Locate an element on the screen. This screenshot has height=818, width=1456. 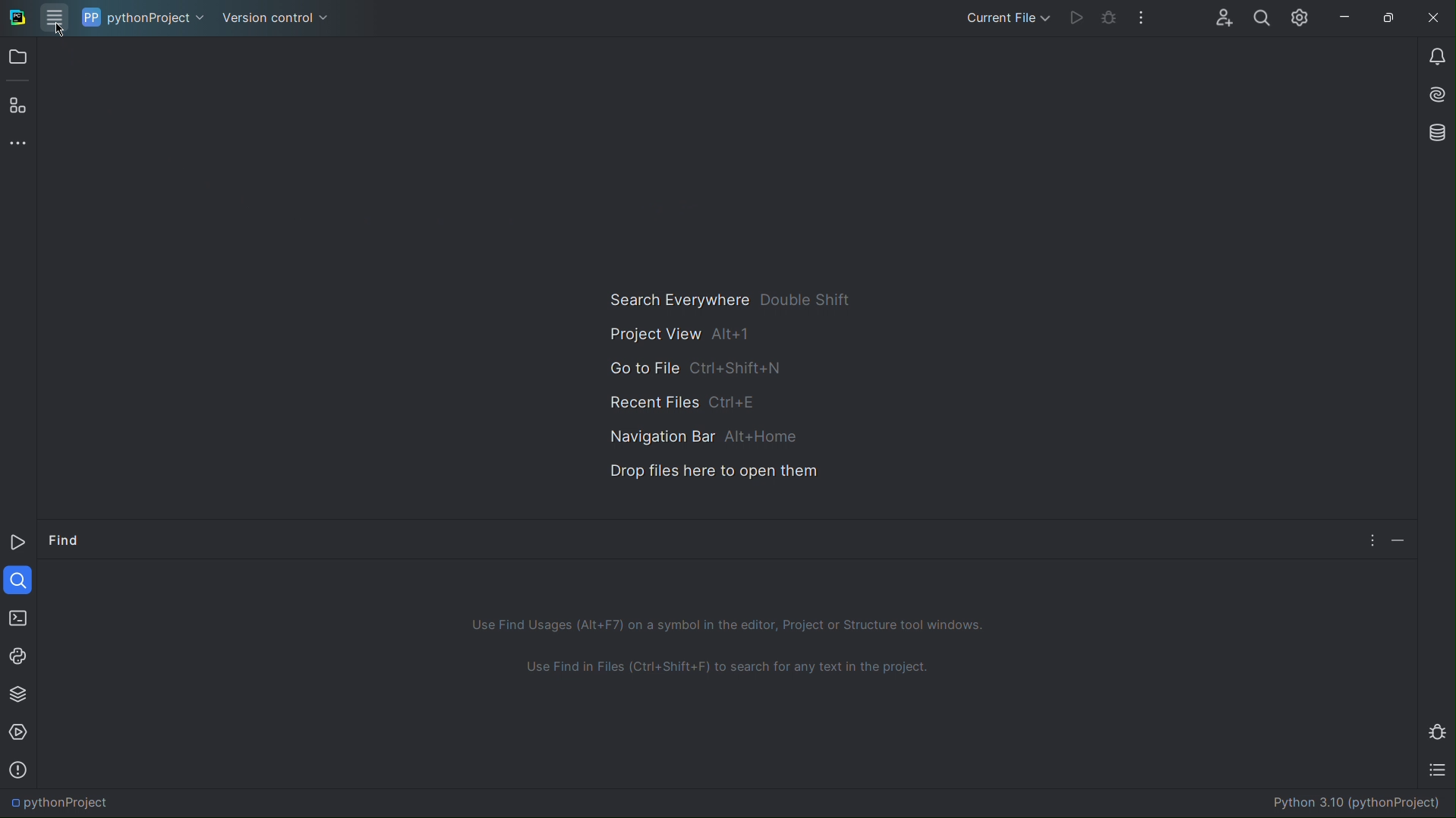
More is located at coordinates (1141, 16).